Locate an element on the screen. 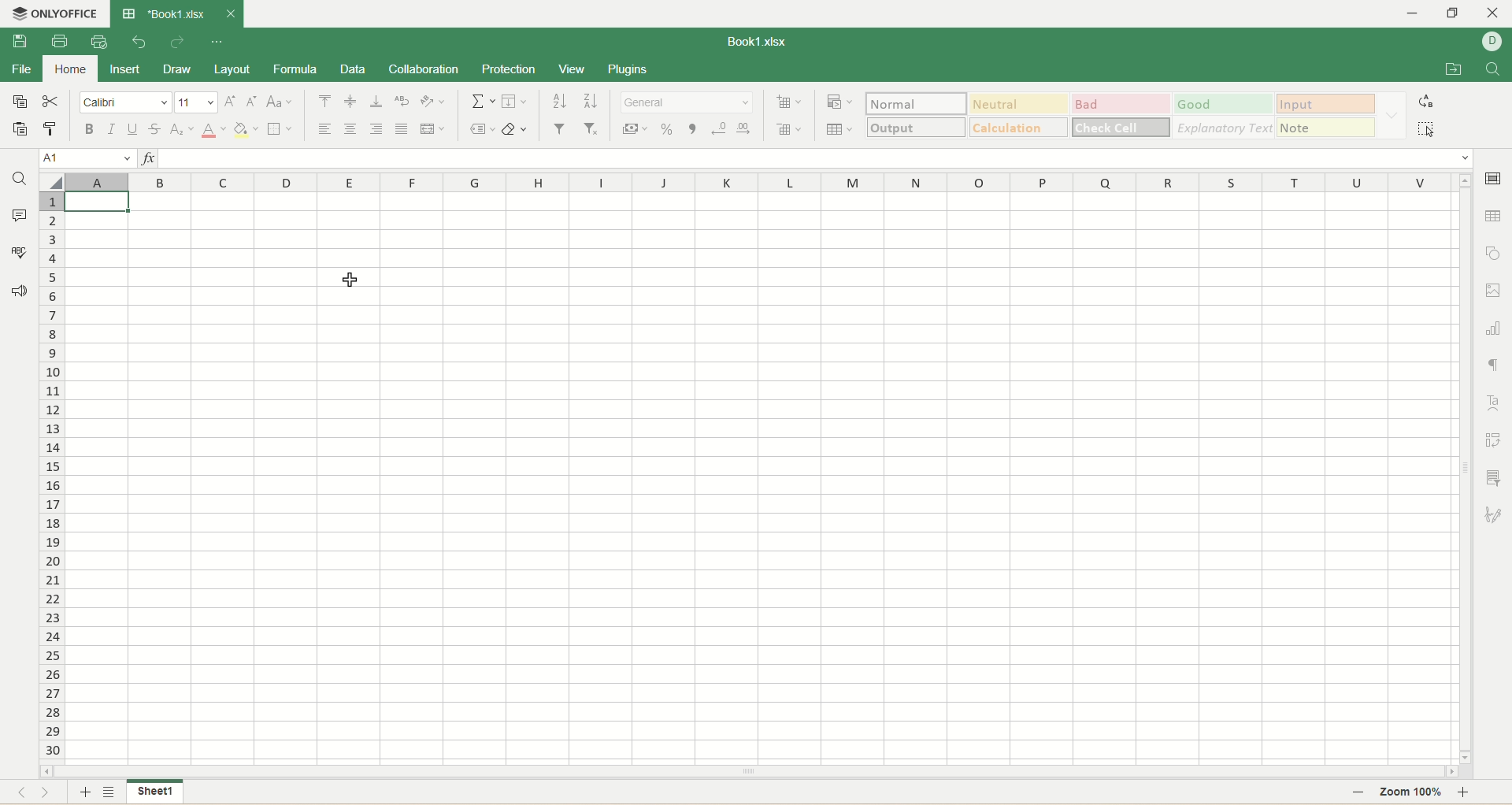  increase decimal is located at coordinates (743, 128).